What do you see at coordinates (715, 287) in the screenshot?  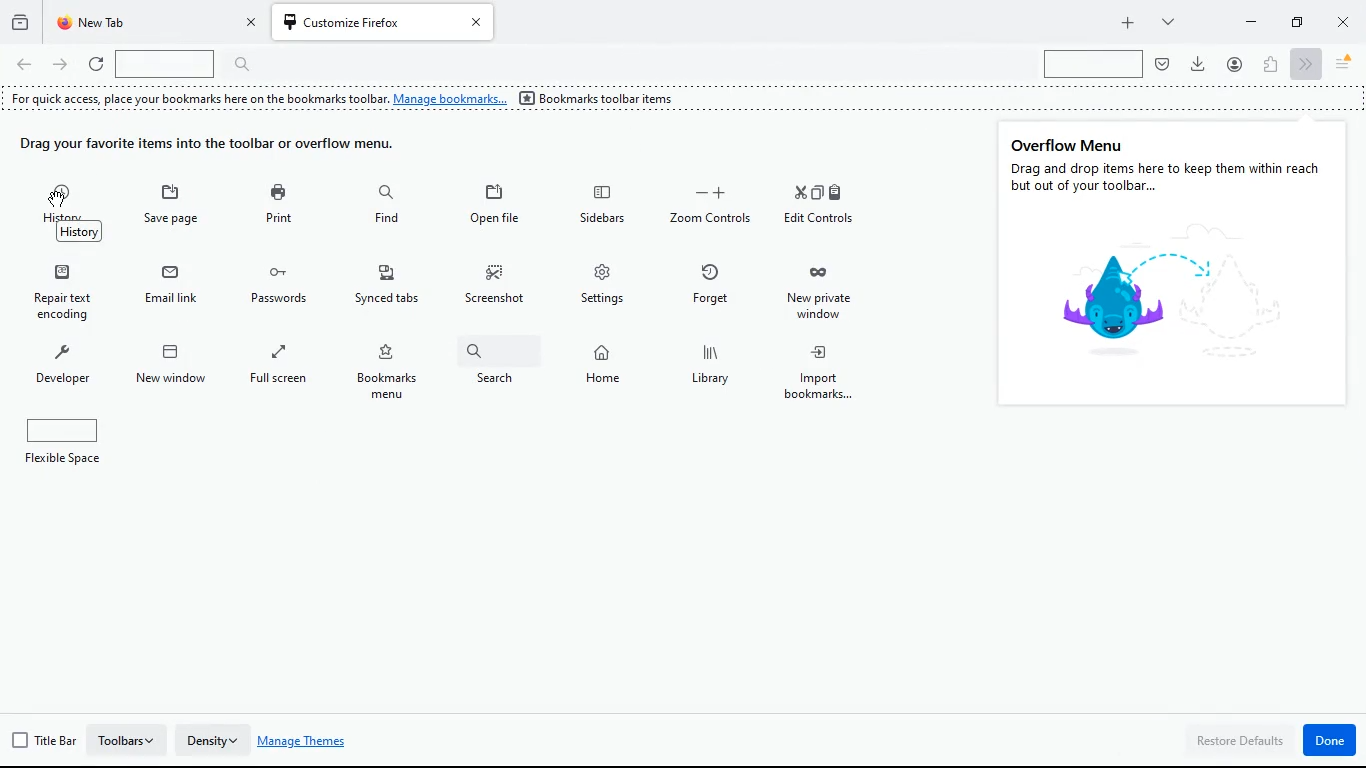 I see `forget` at bounding box center [715, 287].